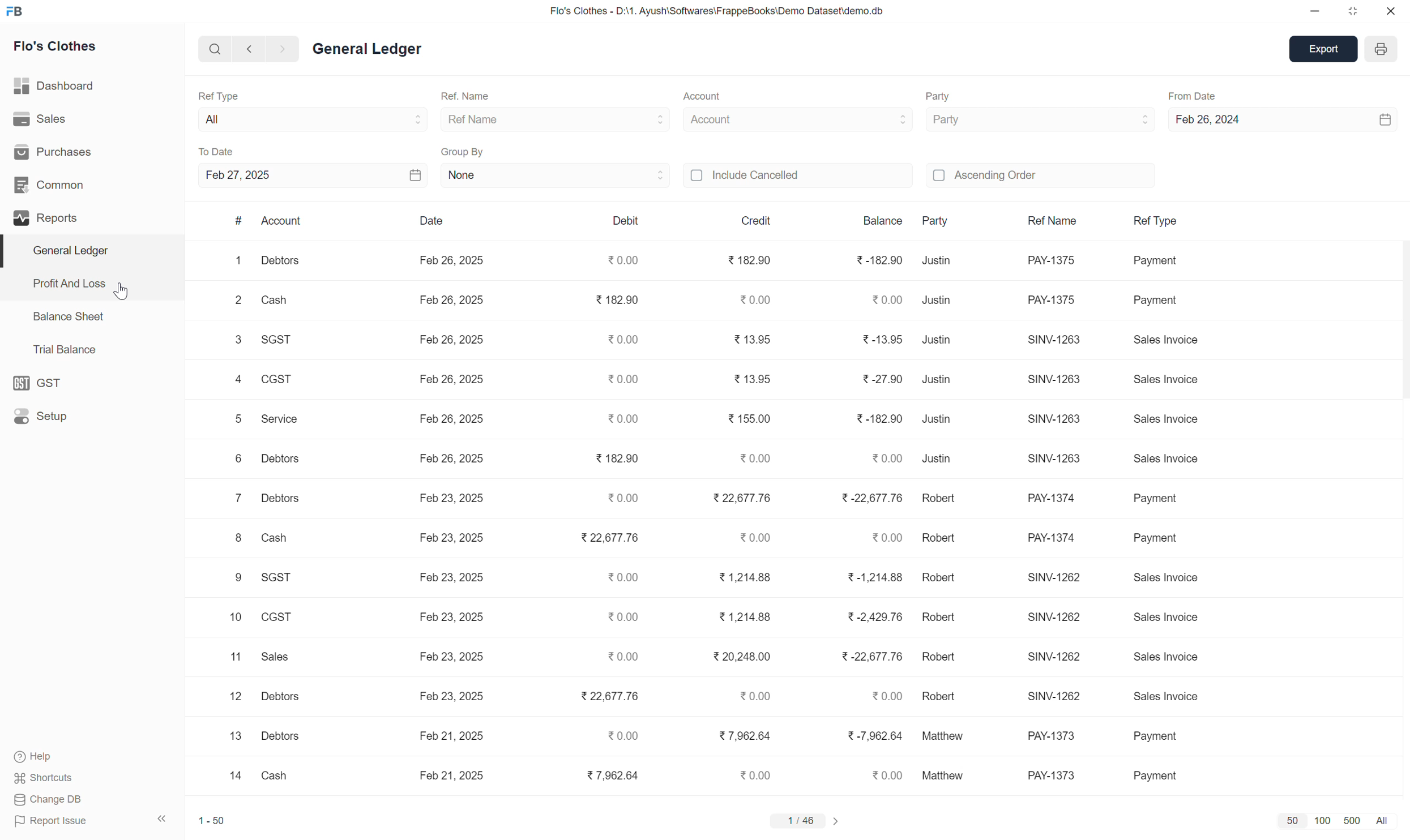  I want to click on Matthew, so click(951, 777).